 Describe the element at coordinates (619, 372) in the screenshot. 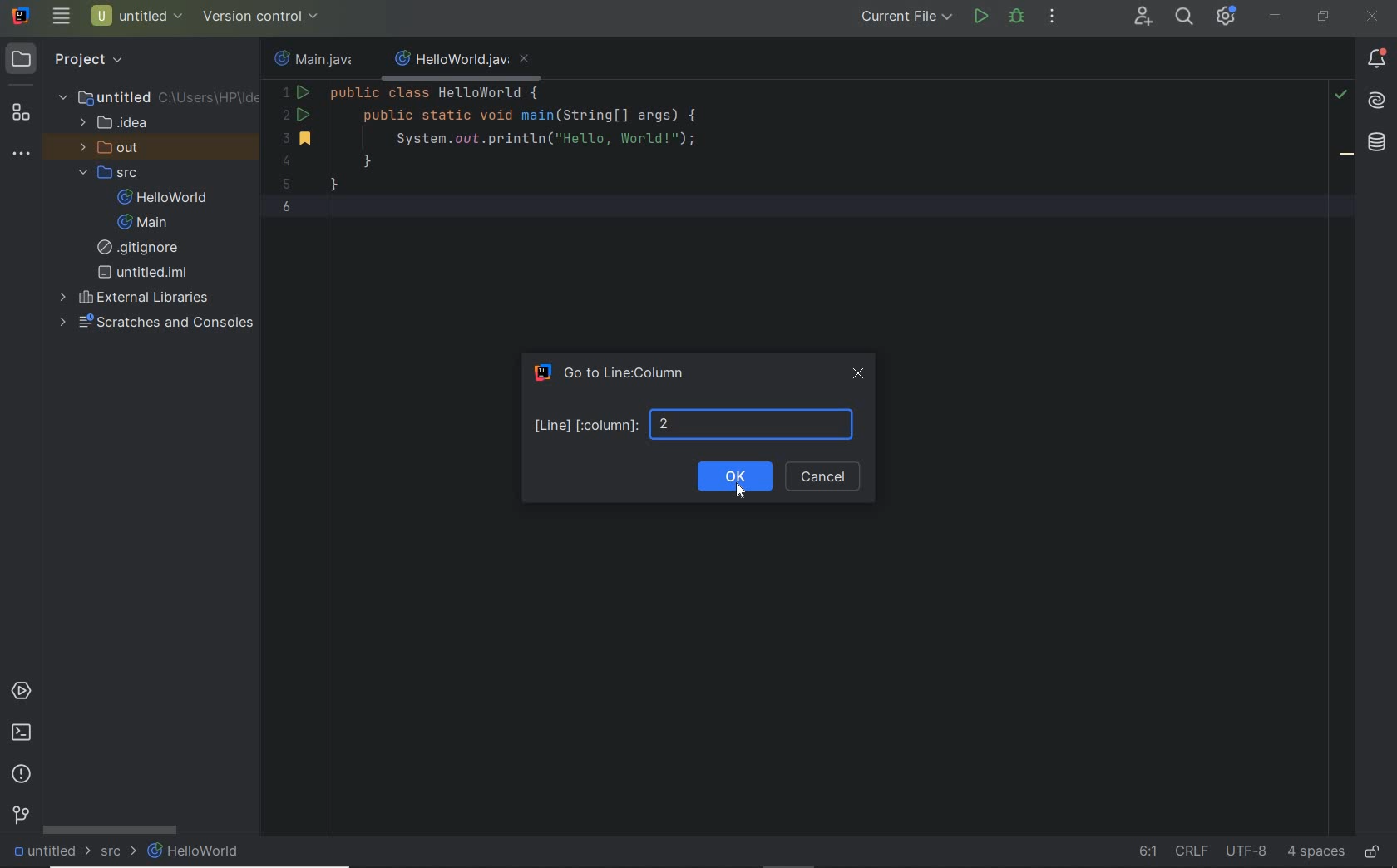

I see `Go to Line:Column` at that location.